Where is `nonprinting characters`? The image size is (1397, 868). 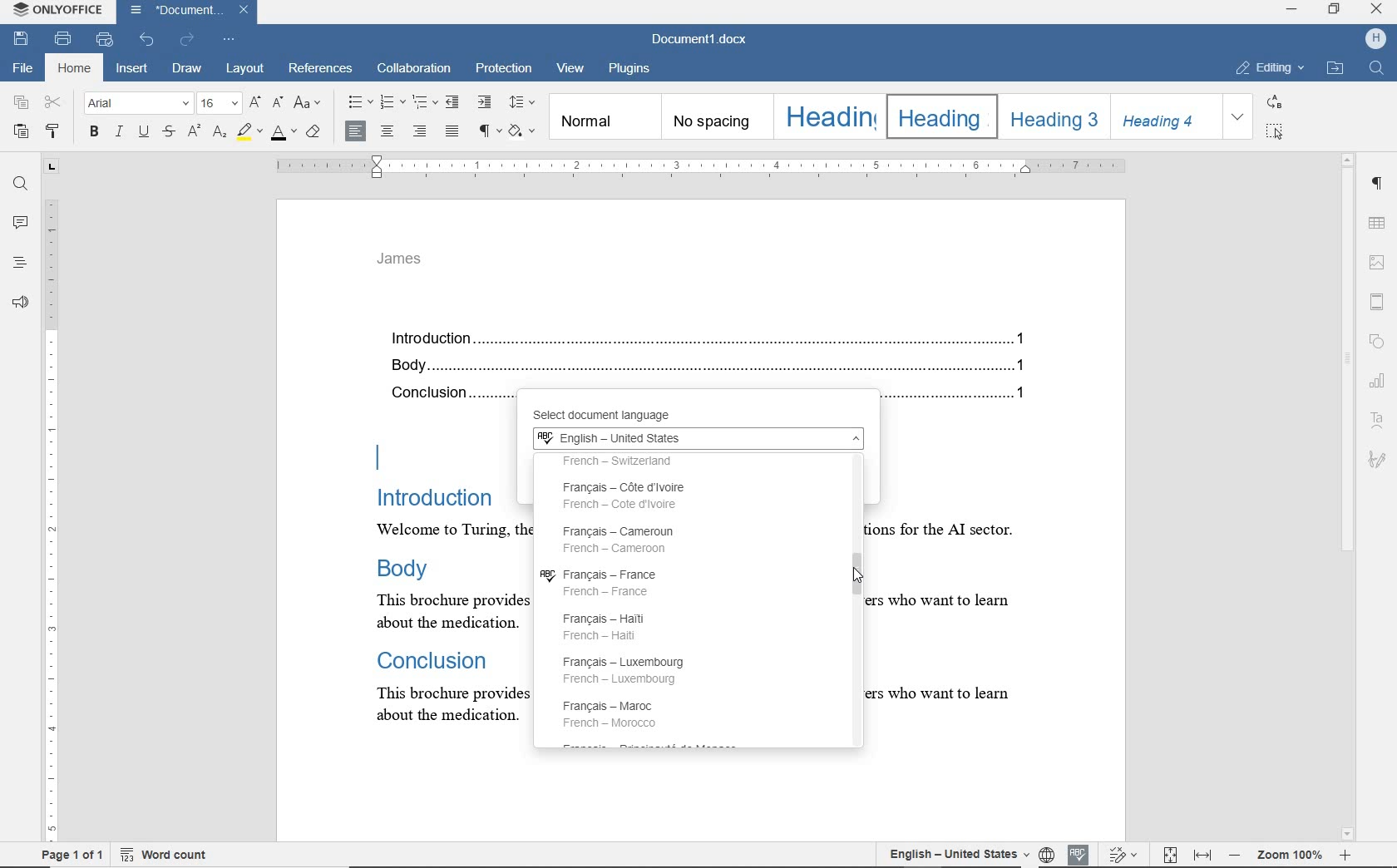
nonprinting characters is located at coordinates (488, 130).